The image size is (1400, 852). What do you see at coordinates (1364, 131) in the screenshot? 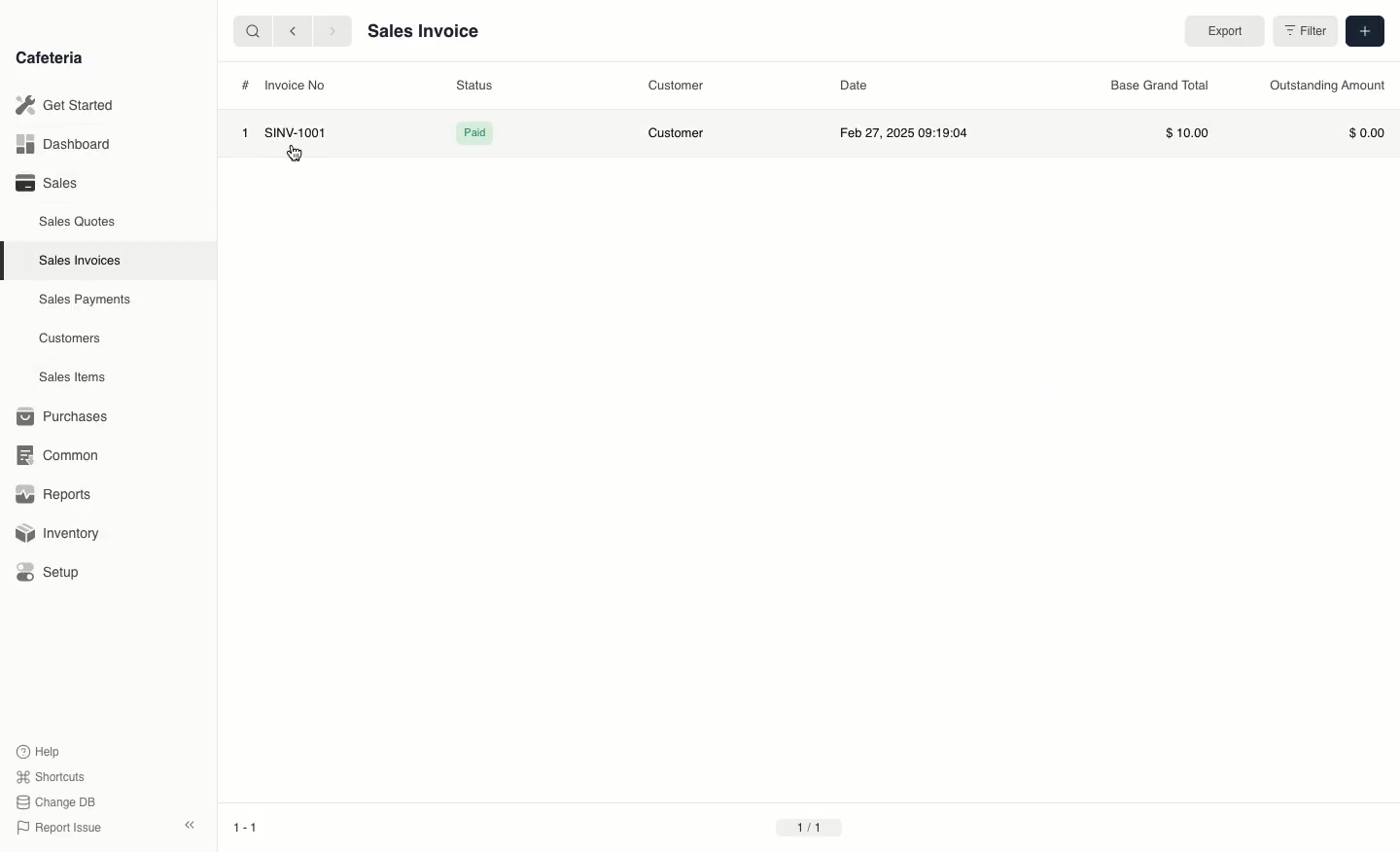
I see `$0.00` at bounding box center [1364, 131].